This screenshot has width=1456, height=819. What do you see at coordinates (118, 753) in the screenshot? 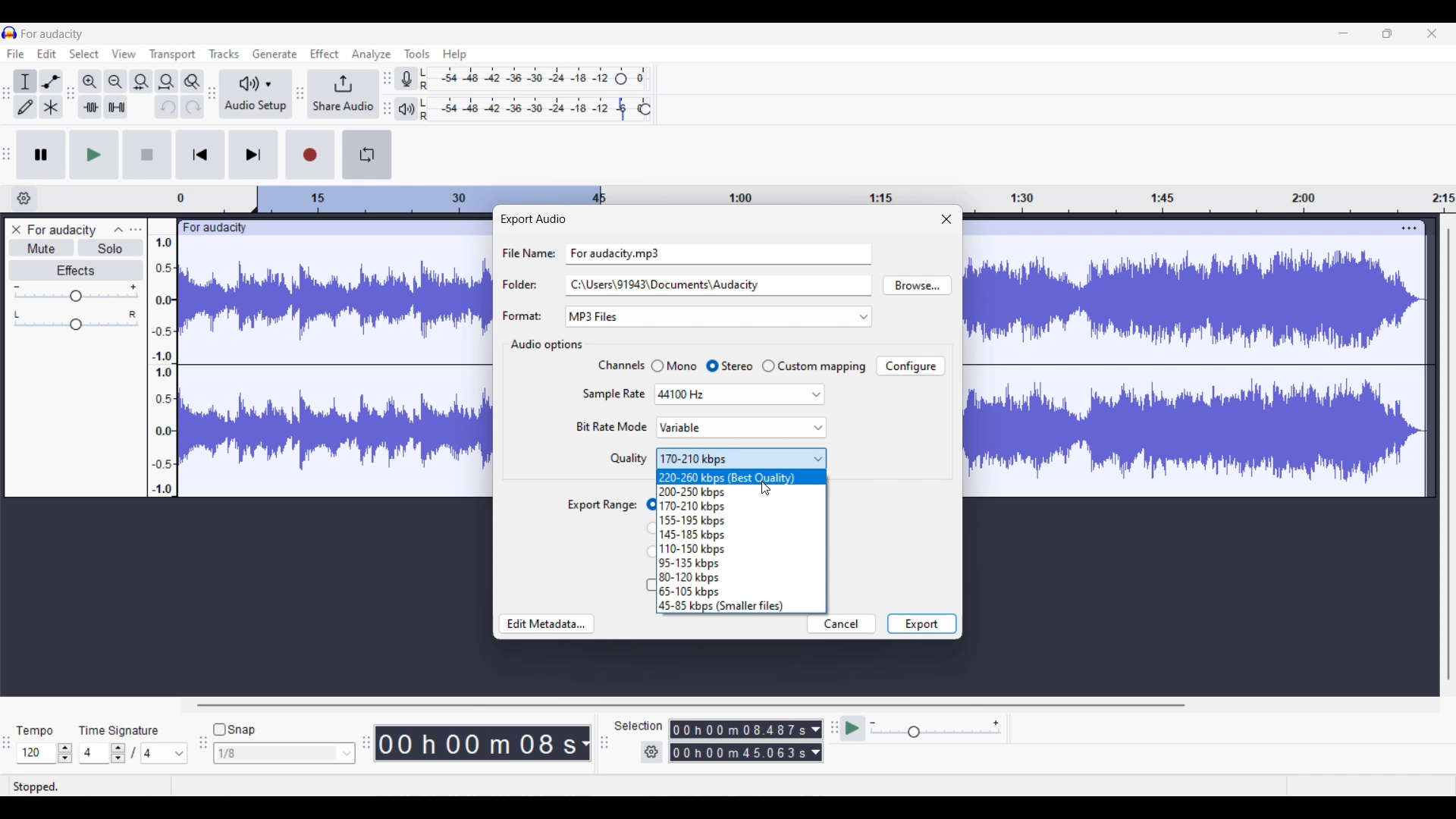
I see `Increase/Decrease number` at bounding box center [118, 753].